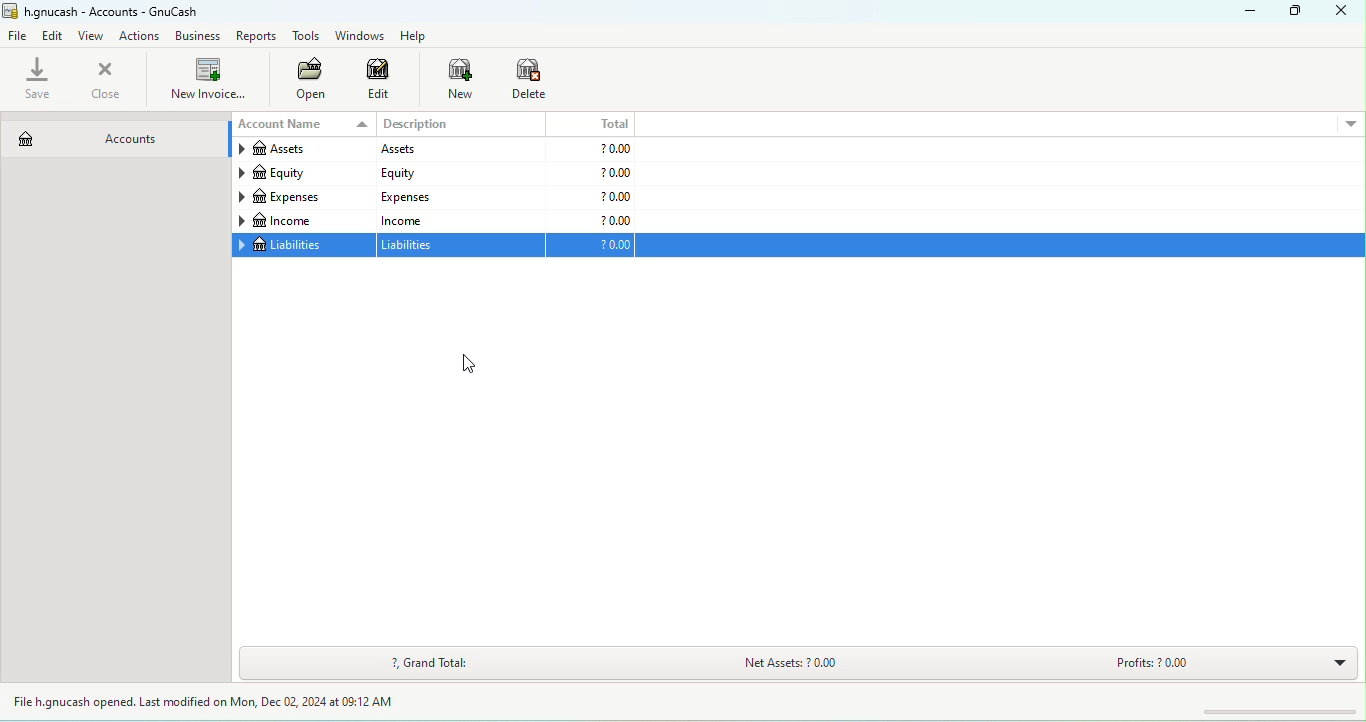 Image resolution: width=1366 pixels, height=722 pixels. Describe the element at coordinates (462, 246) in the screenshot. I see `liabilities` at that location.